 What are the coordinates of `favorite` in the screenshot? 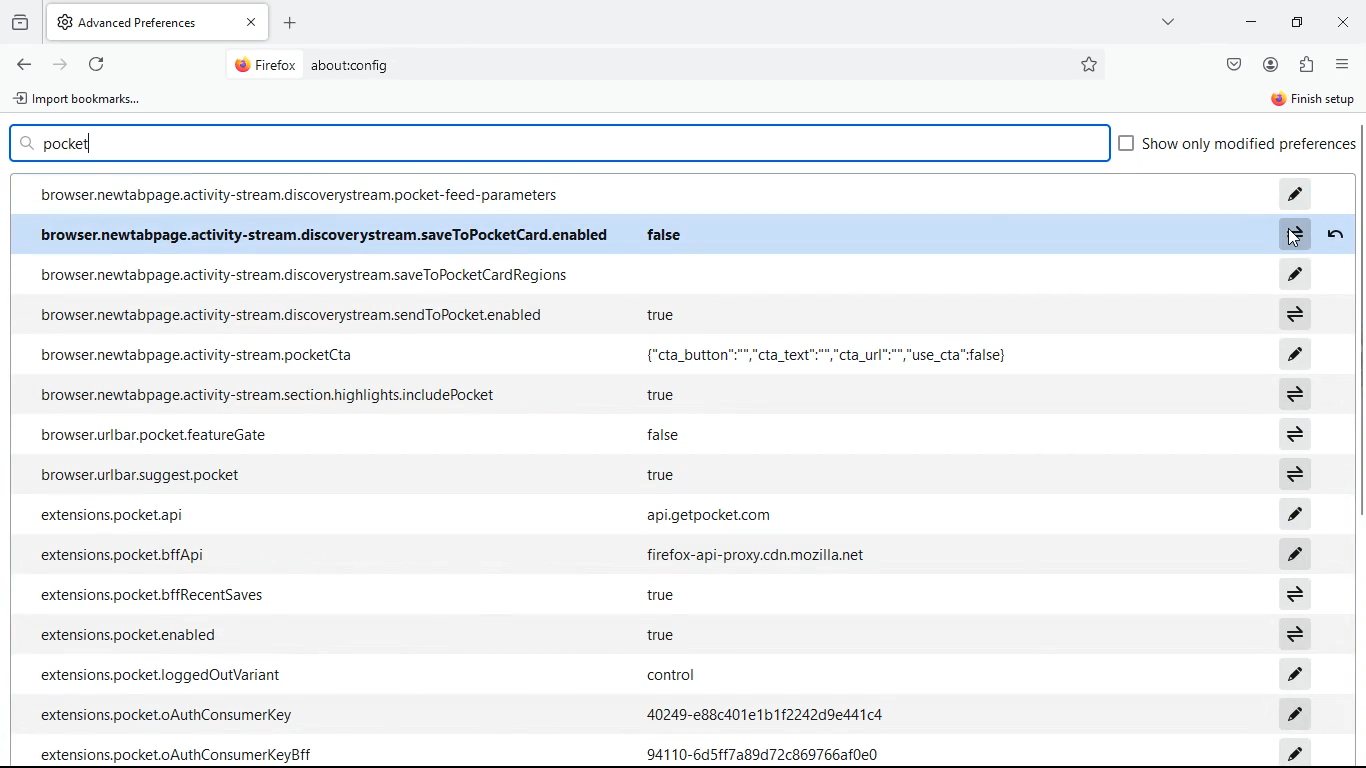 It's located at (1089, 64).